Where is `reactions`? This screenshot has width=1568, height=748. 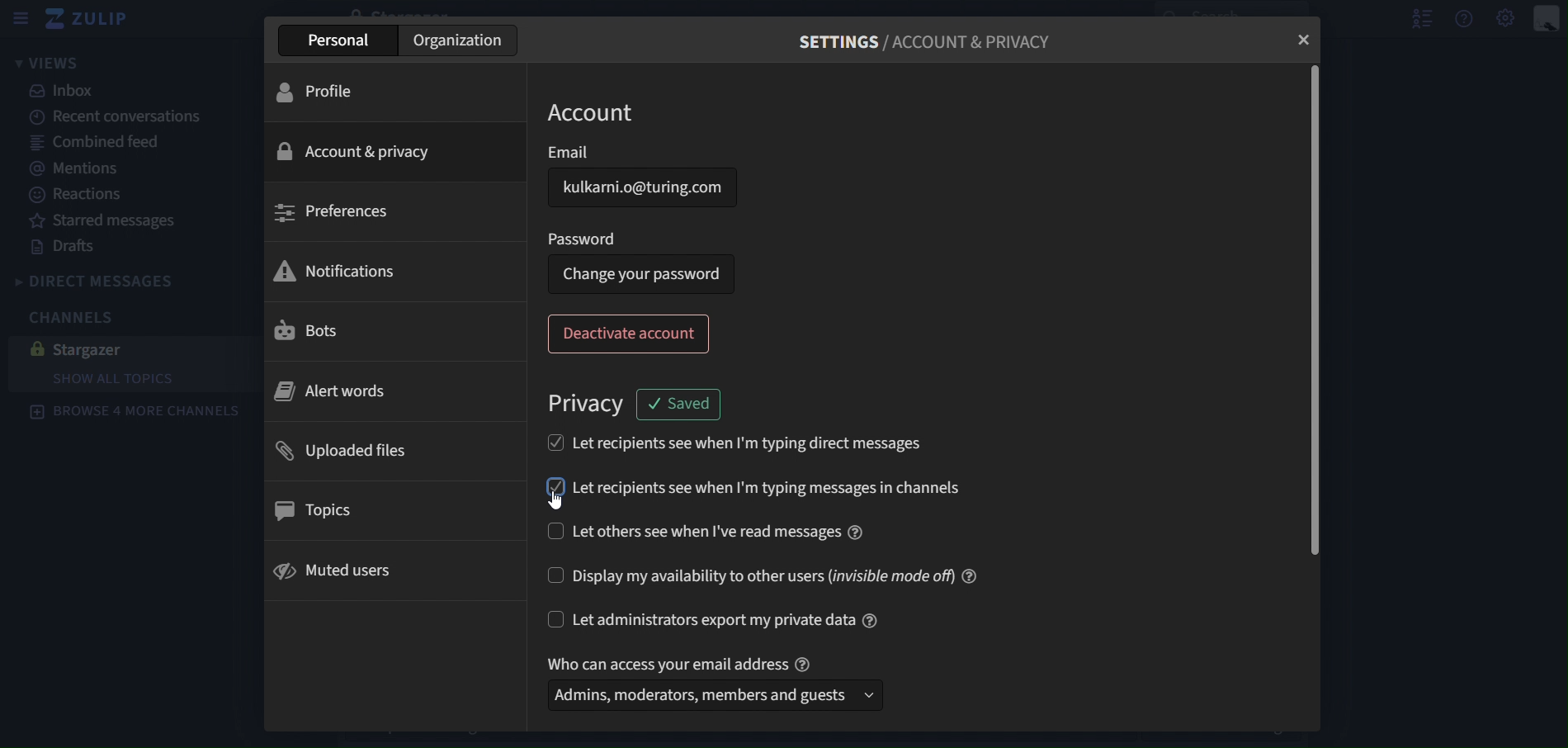
reactions is located at coordinates (77, 196).